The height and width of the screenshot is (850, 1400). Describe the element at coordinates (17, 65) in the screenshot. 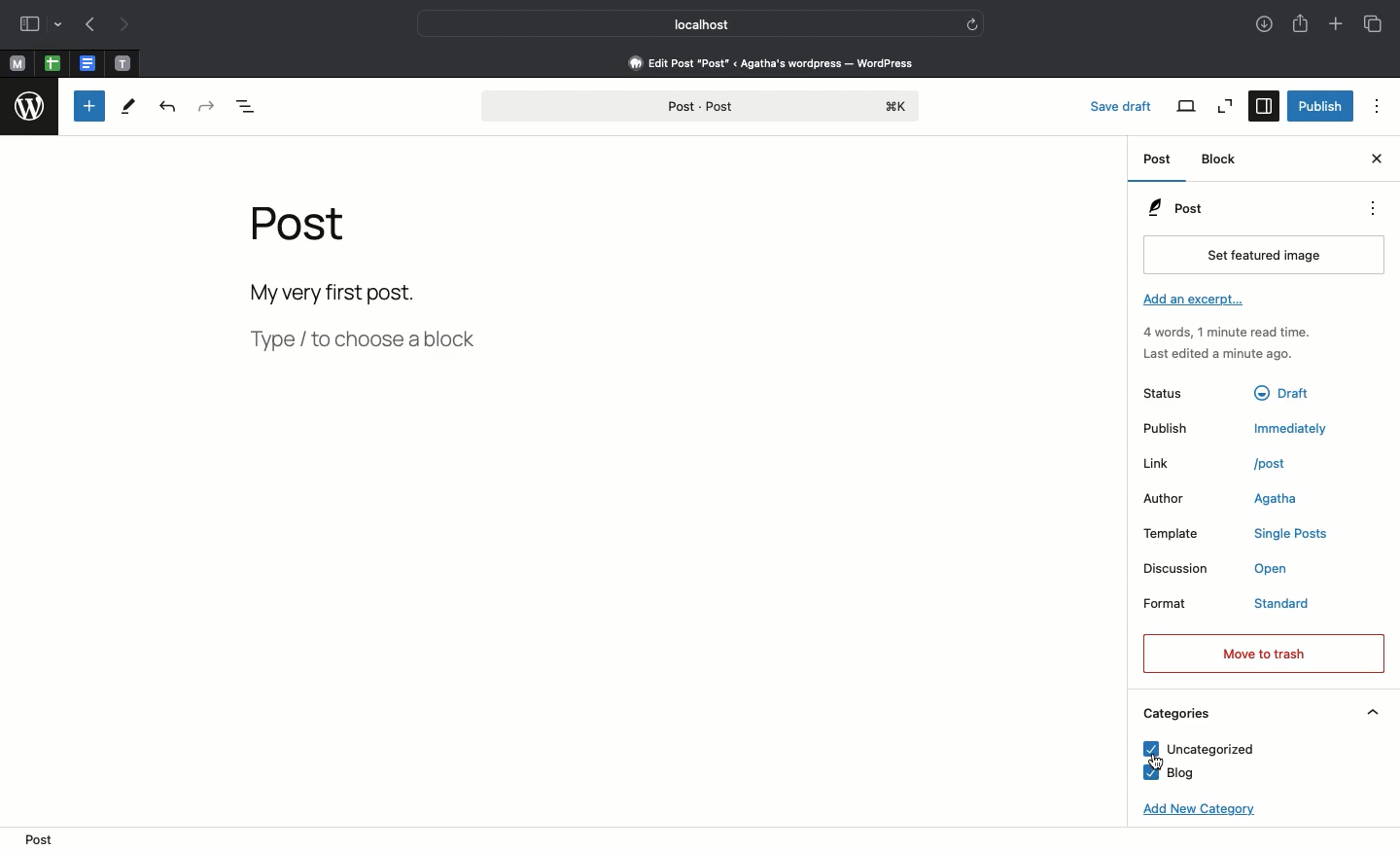

I see `Pinned tab` at that location.